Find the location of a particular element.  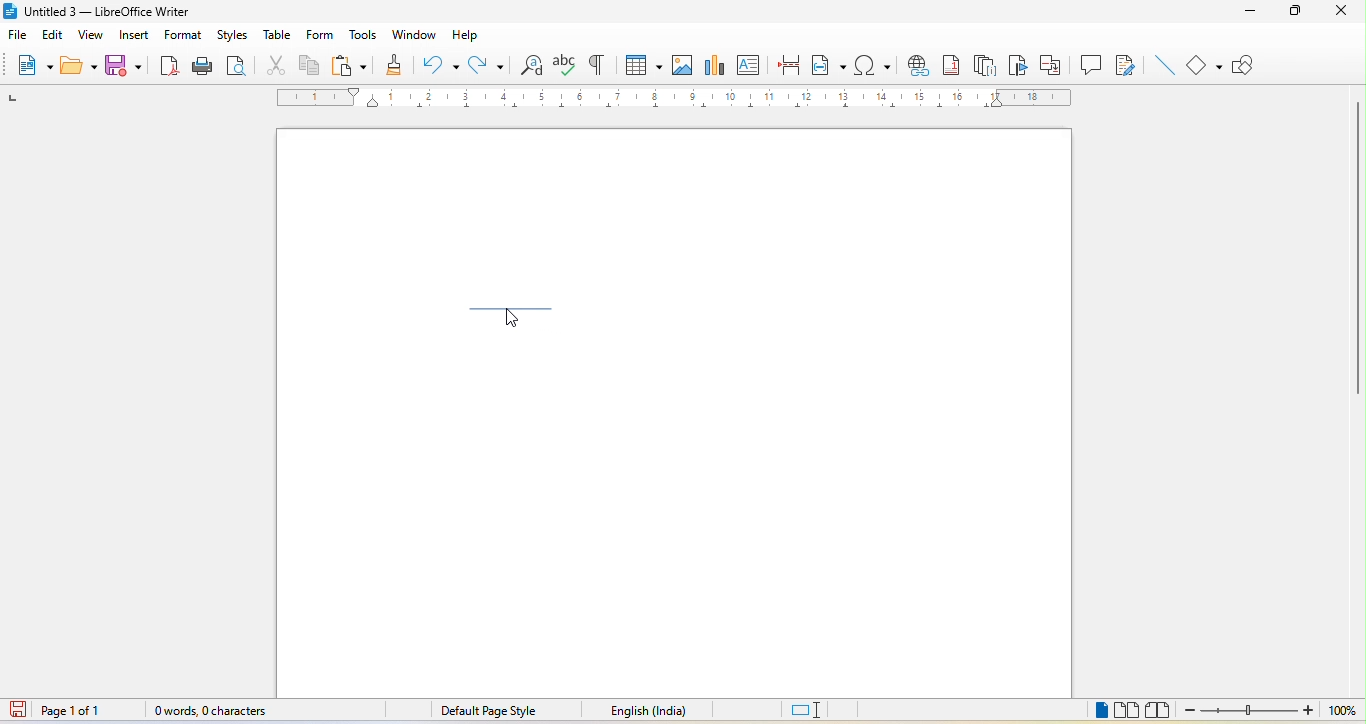

styles is located at coordinates (231, 36).